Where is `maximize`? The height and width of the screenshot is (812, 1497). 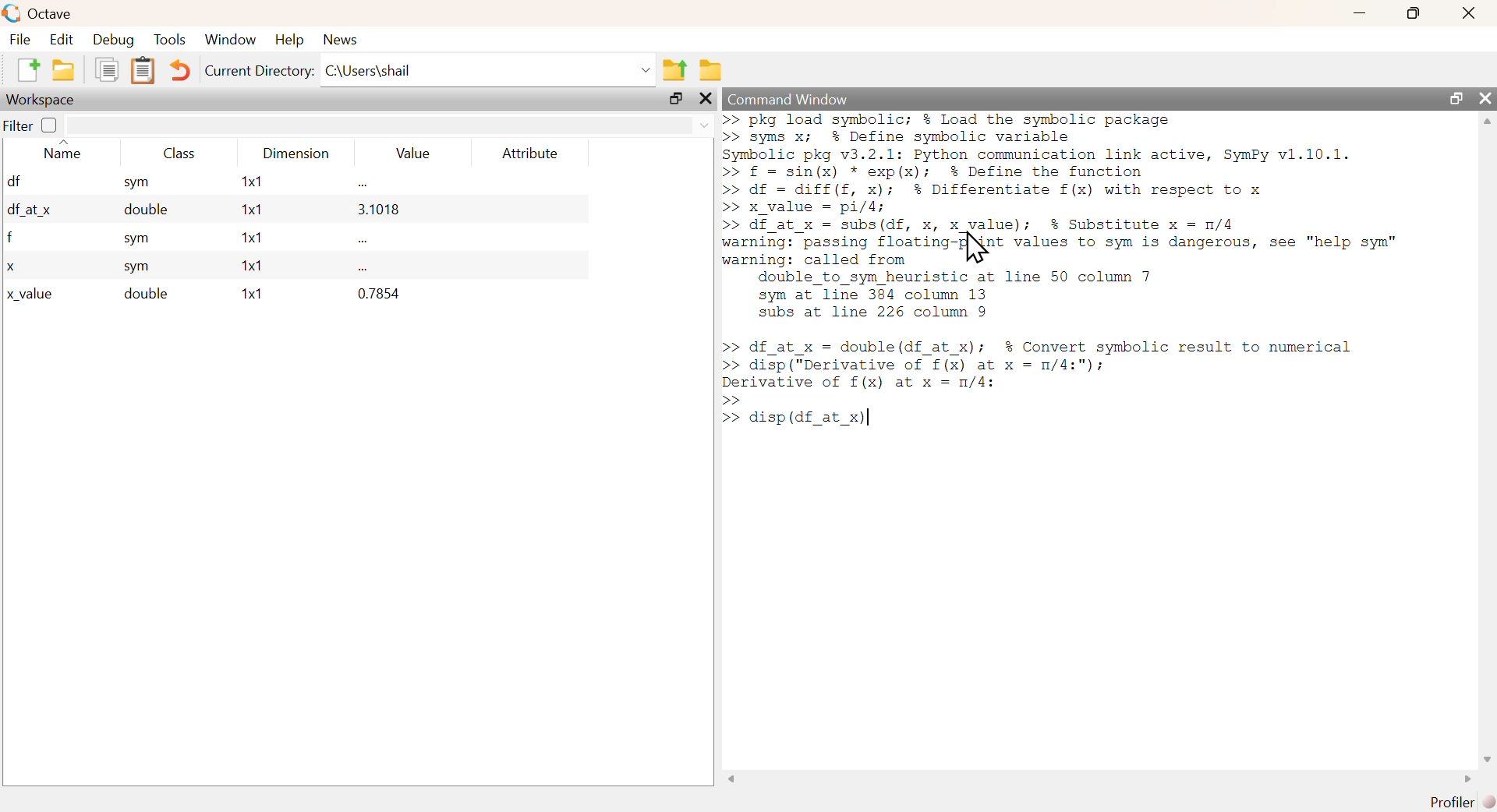
maximize is located at coordinates (675, 99).